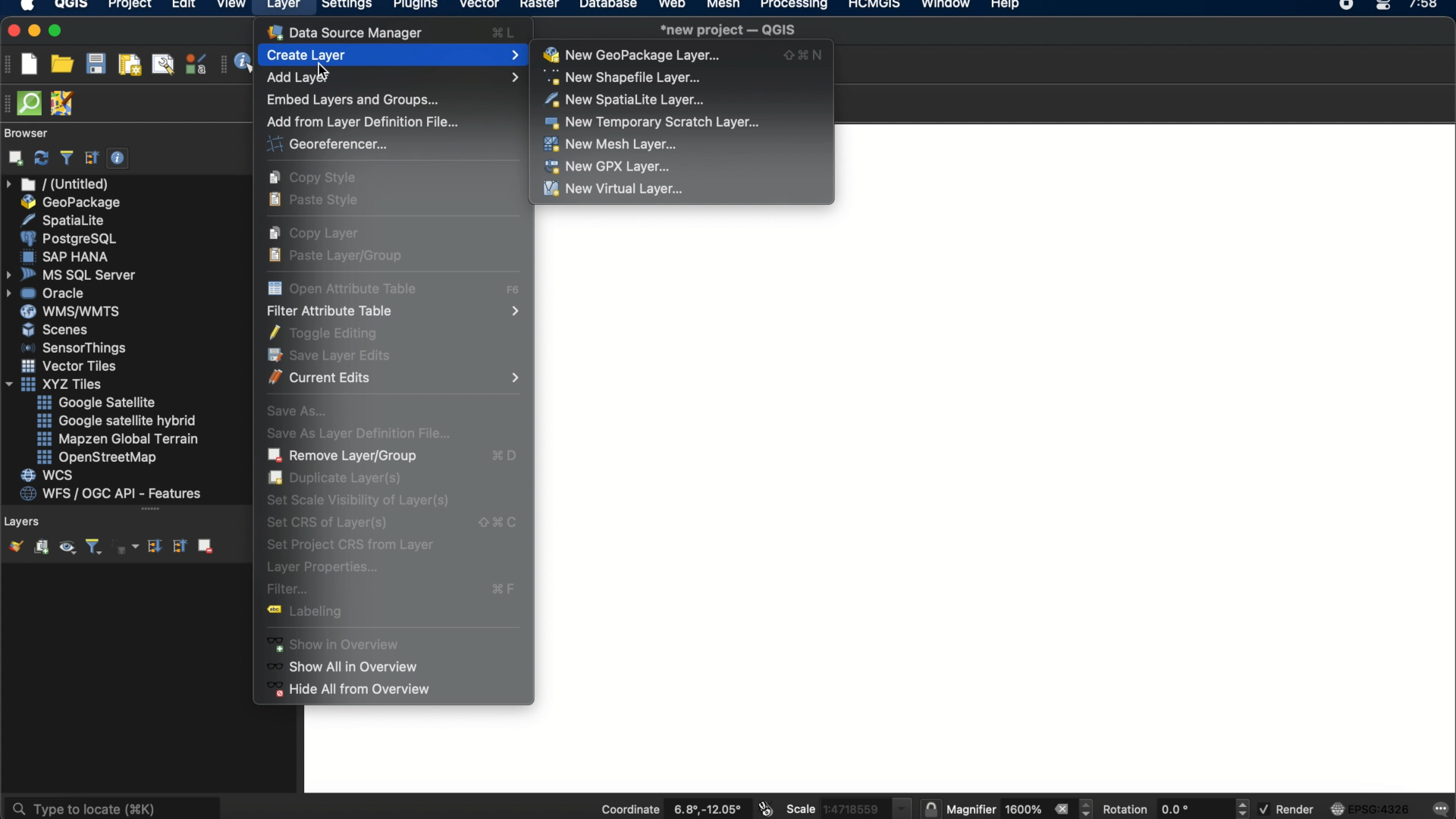 The width and height of the screenshot is (1456, 819). What do you see at coordinates (127, 6) in the screenshot?
I see `project` at bounding box center [127, 6].